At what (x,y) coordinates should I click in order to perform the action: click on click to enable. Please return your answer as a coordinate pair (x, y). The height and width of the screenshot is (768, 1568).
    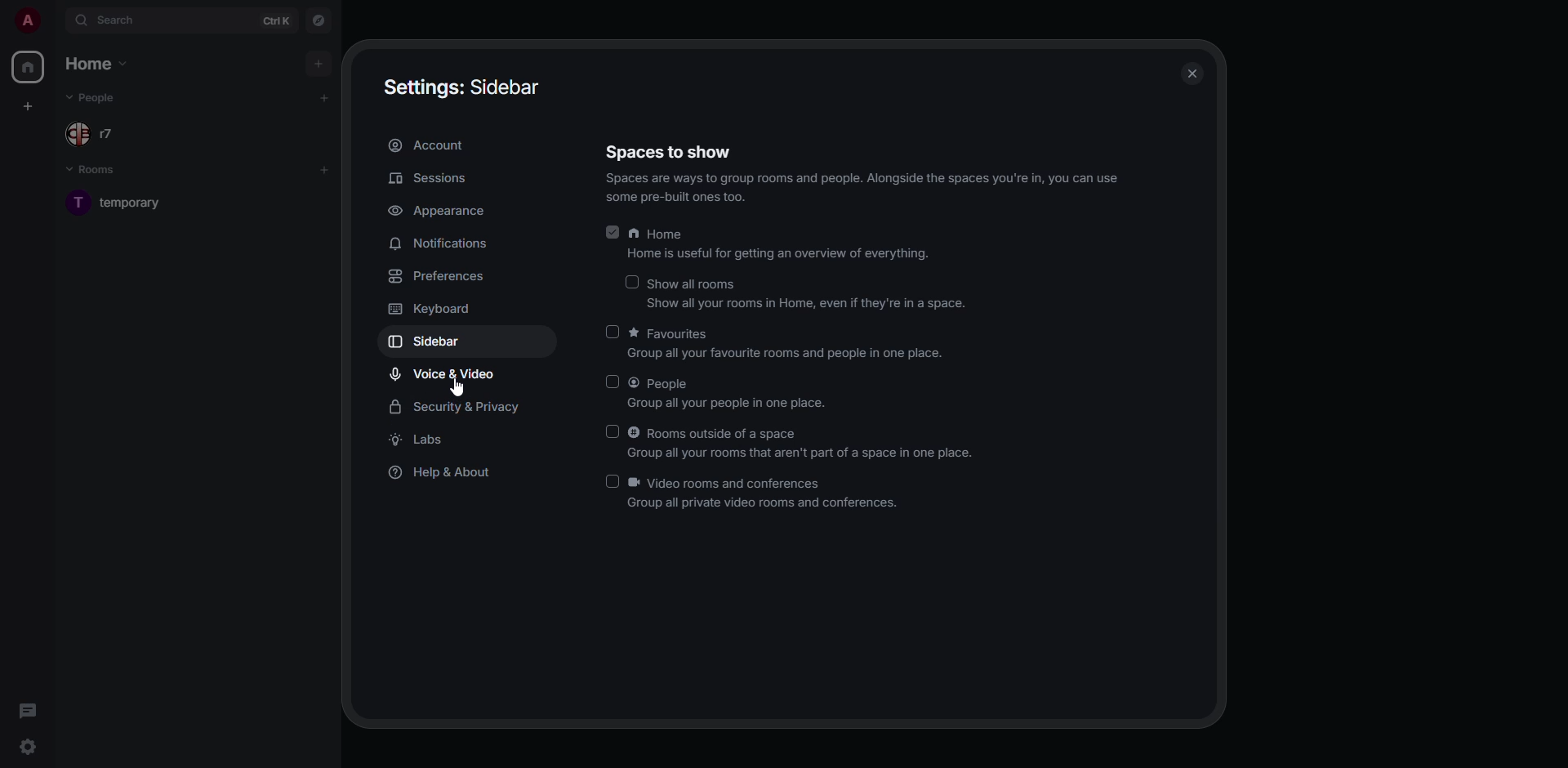
    Looking at the image, I should click on (632, 283).